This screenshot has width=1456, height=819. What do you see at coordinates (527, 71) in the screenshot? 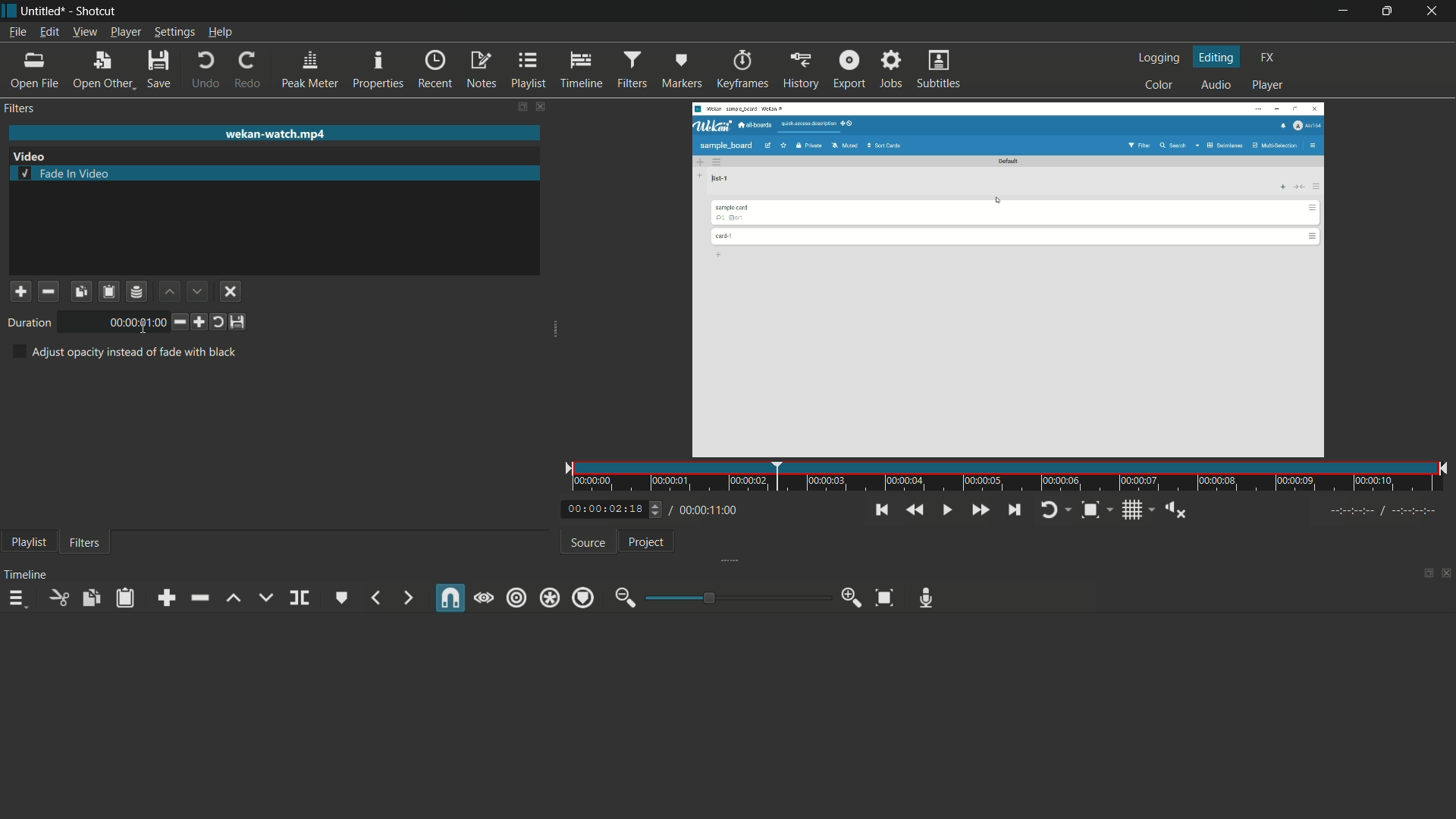
I see `playlist` at bounding box center [527, 71].